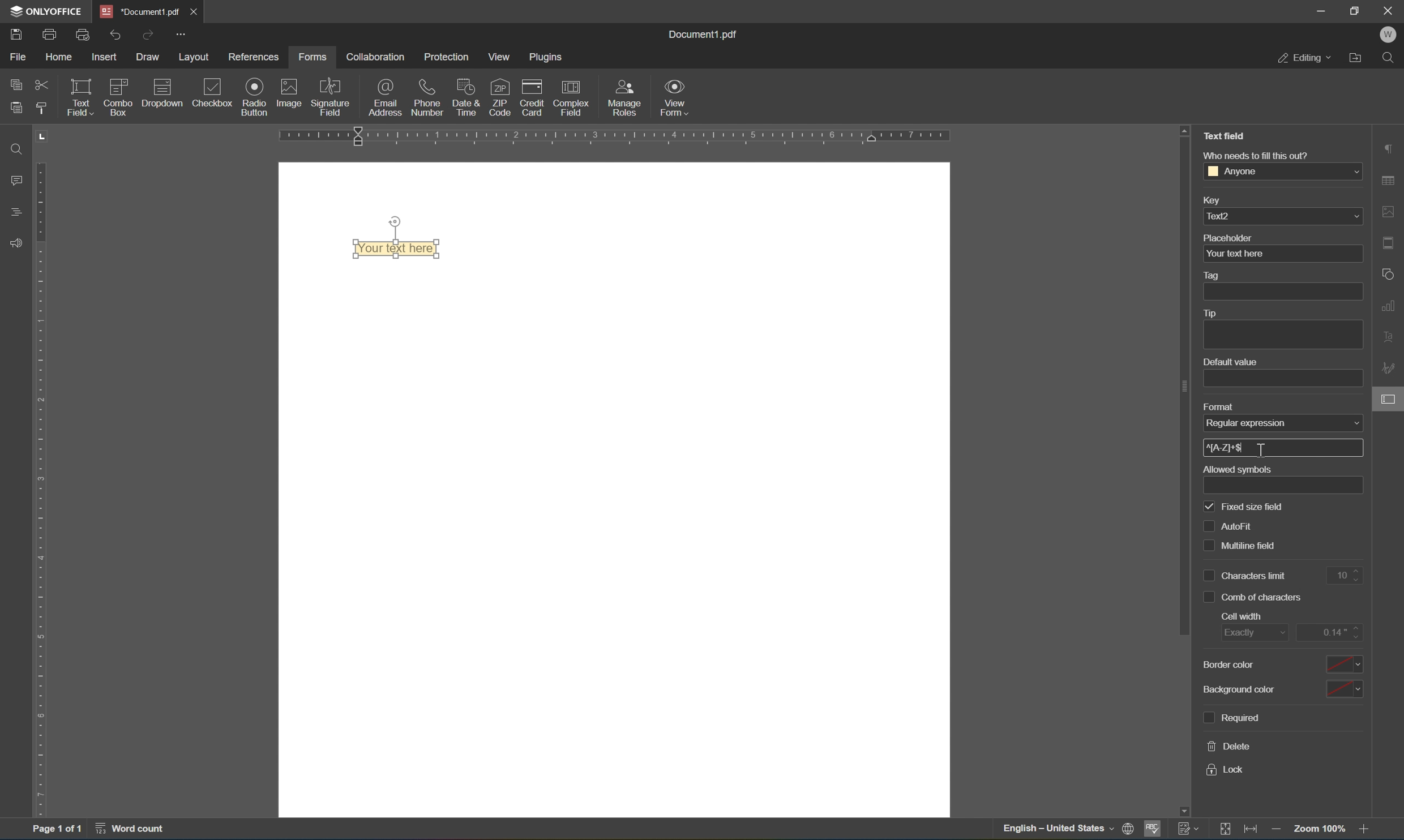 Image resolution: width=1404 pixels, height=840 pixels. I want to click on image settings, so click(1388, 209).